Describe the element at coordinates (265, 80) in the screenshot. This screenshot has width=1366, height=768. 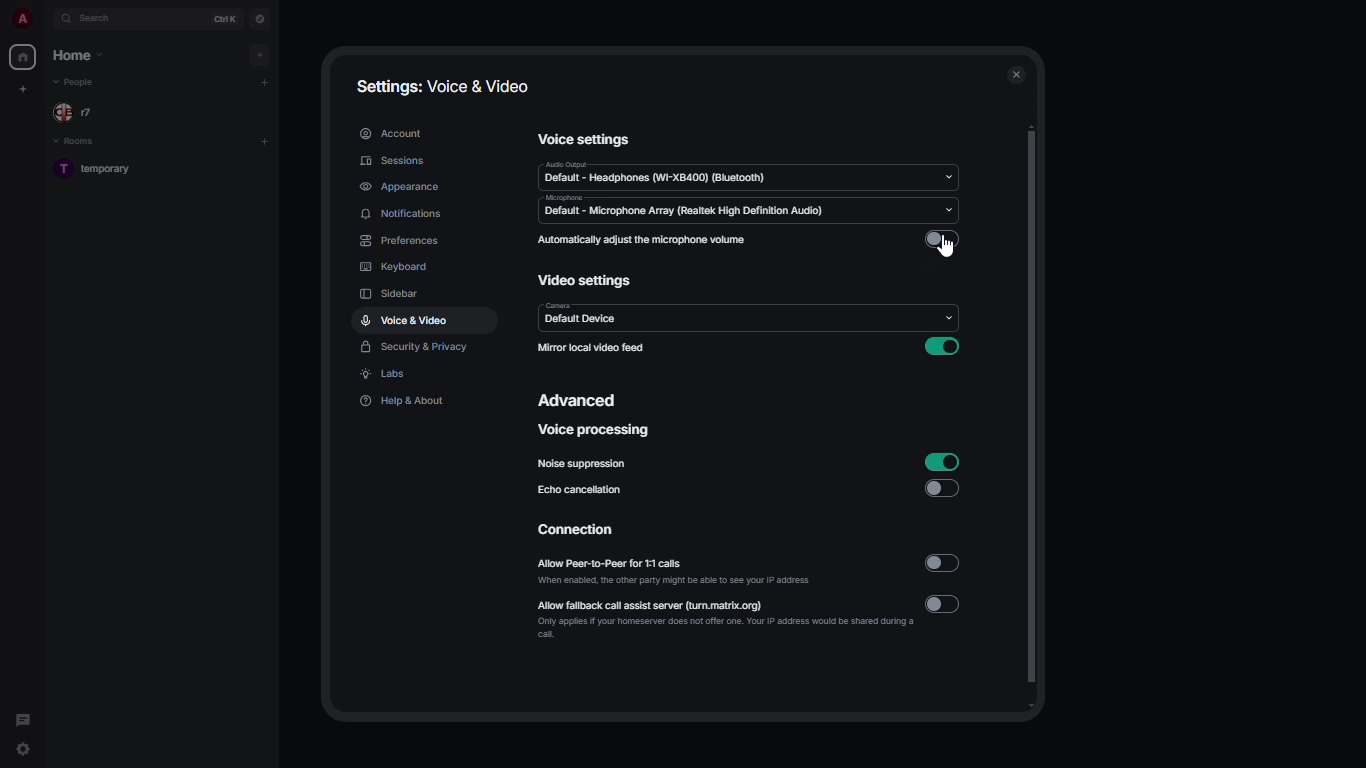
I see `add` at that location.